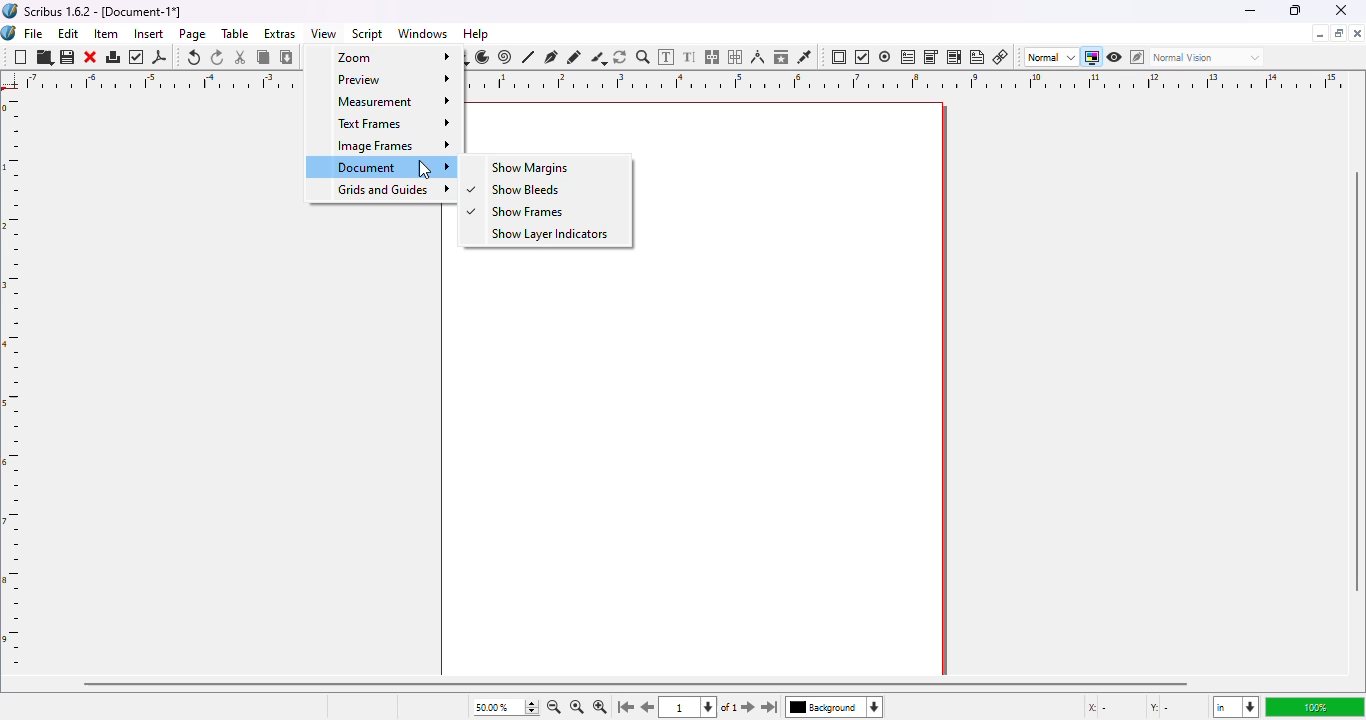 Image resolution: width=1366 pixels, height=720 pixels. What do you see at coordinates (550, 190) in the screenshot?
I see `show bleeds` at bounding box center [550, 190].